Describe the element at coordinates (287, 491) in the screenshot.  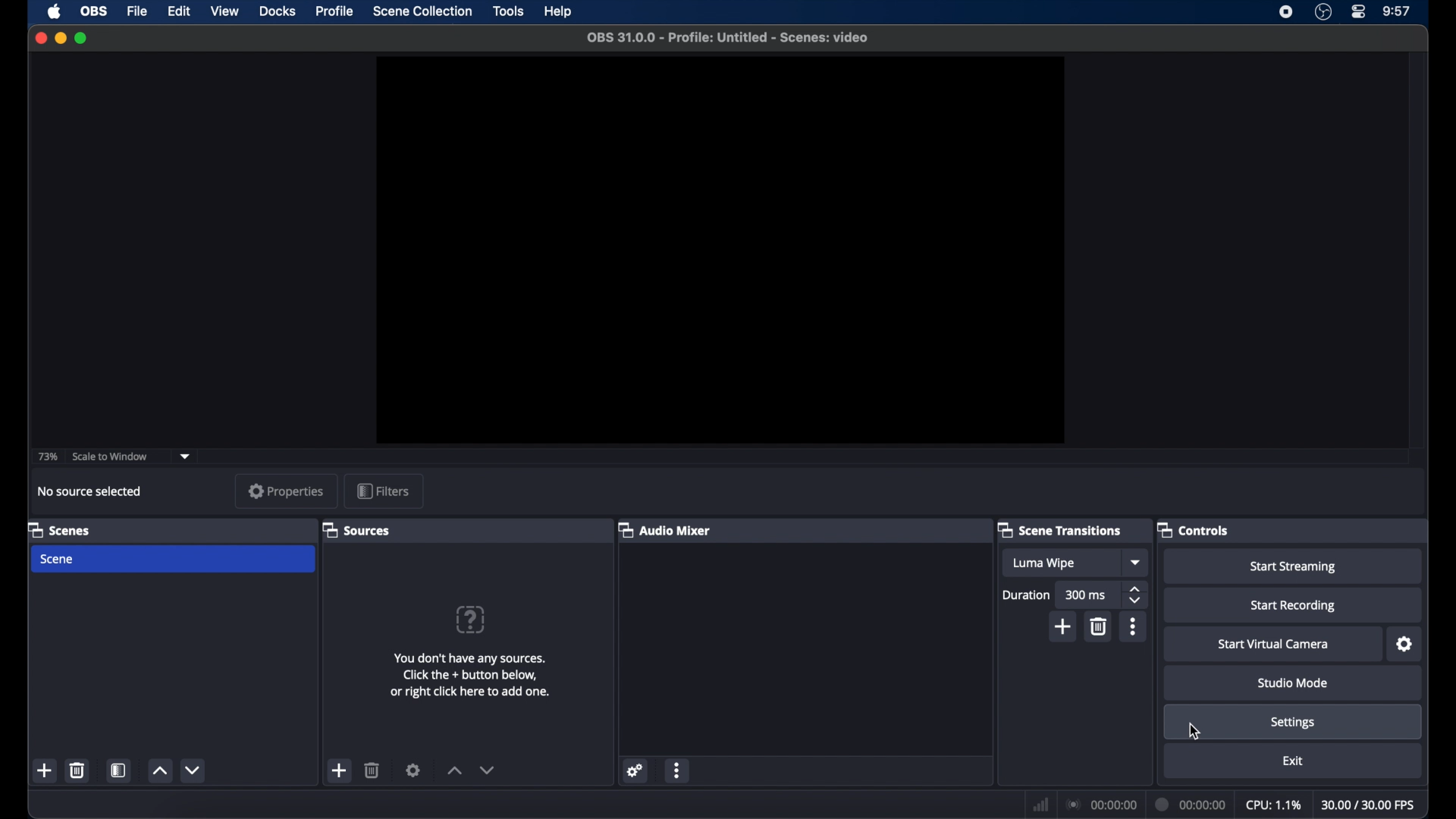
I see `properties` at that location.